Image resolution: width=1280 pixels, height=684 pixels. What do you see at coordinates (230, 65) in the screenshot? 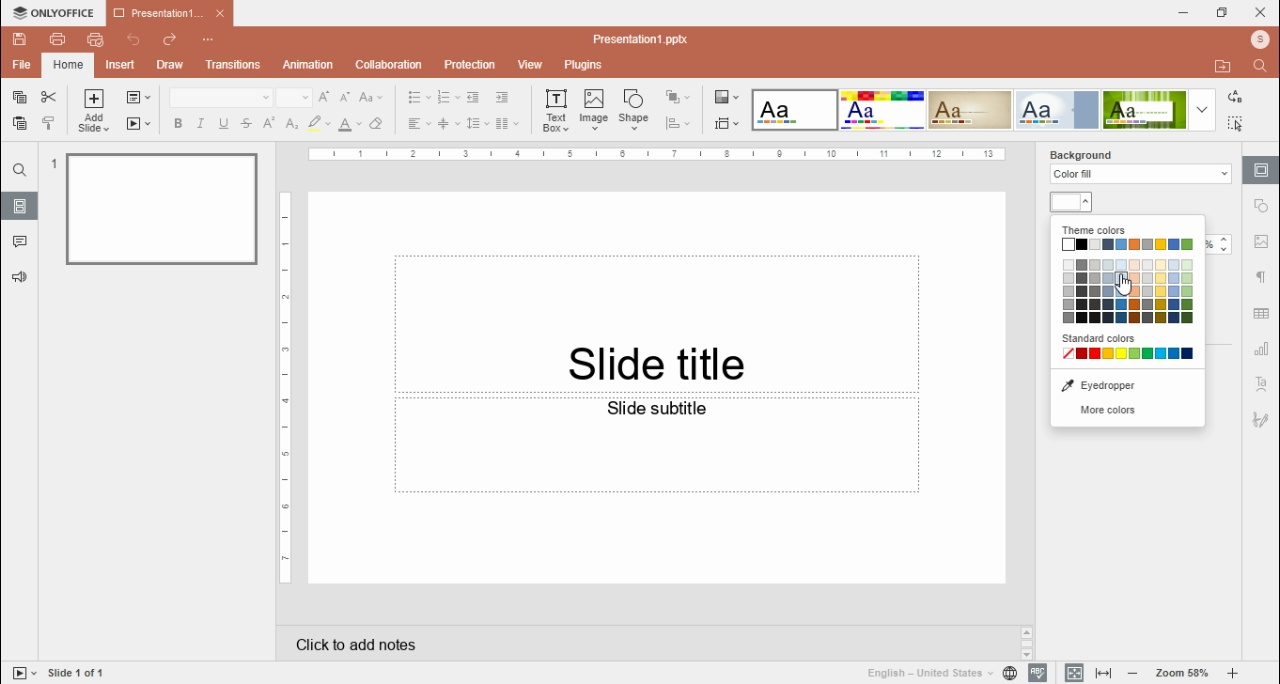
I see `transitions` at bounding box center [230, 65].